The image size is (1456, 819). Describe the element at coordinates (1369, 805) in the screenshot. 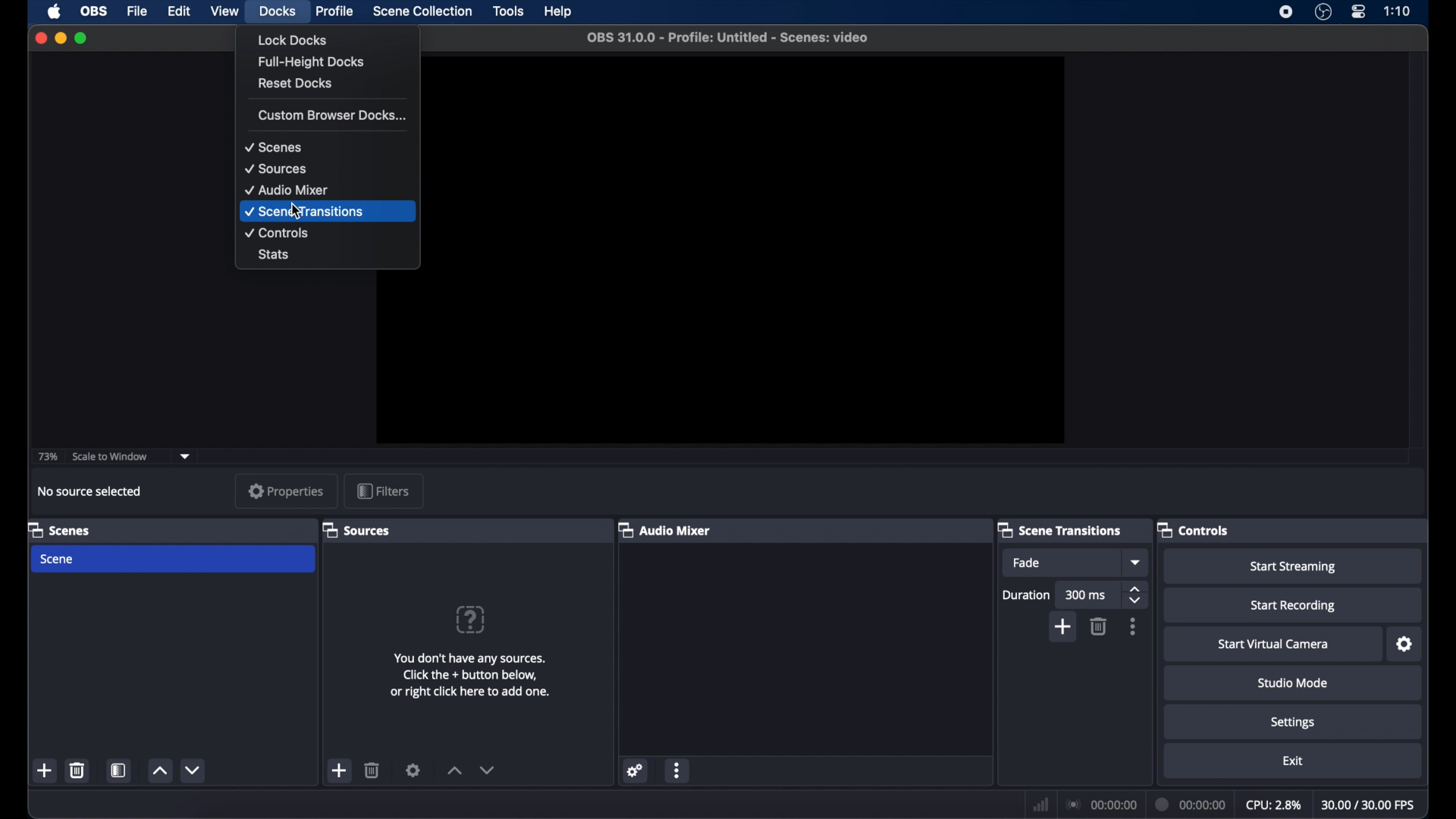

I see `fps` at that location.